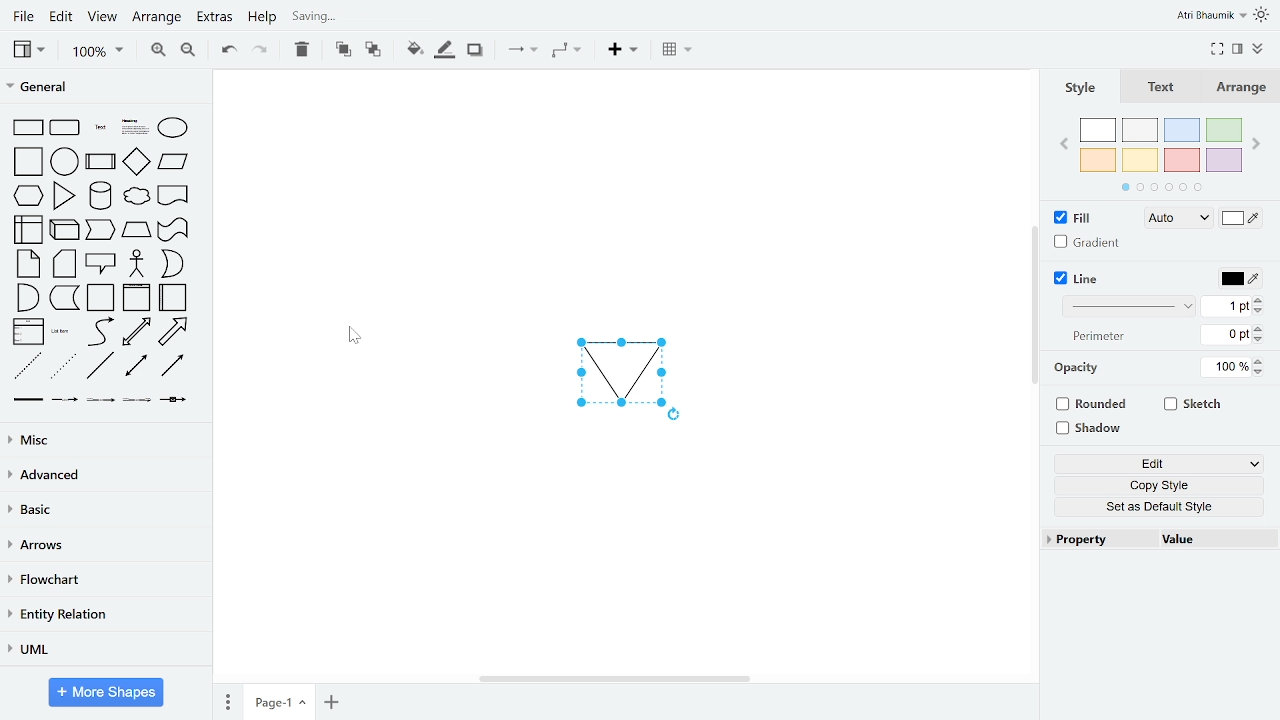 The height and width of the screenshot is (720, 1280). Describe the element at coordinates (1182, 130) in the screenshot. I see `blue` at that location.